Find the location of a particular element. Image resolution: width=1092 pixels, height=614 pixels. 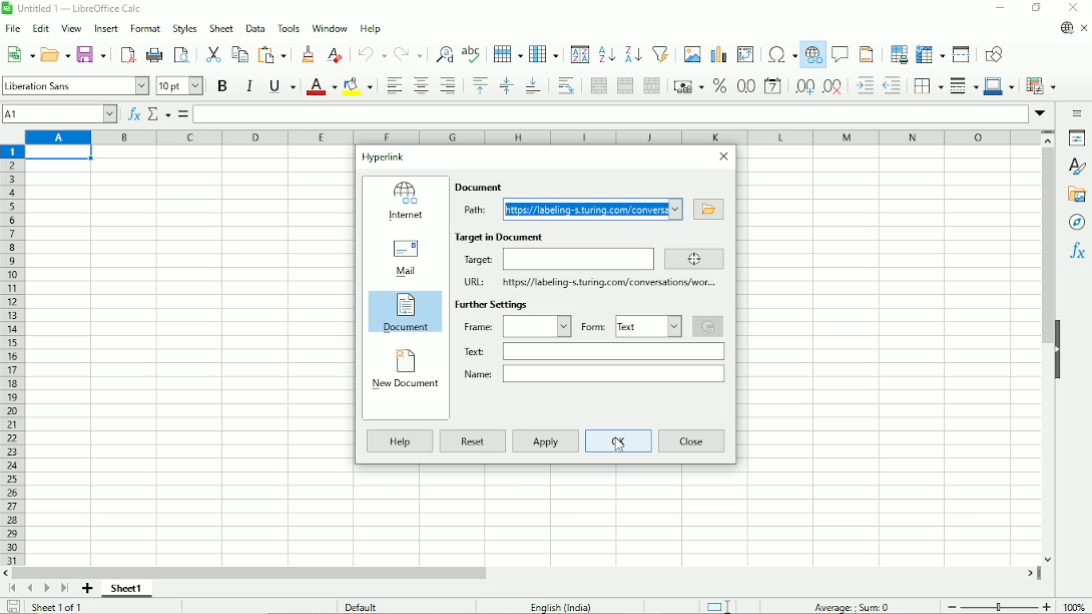

Align left is located at coordinates (394, 86).